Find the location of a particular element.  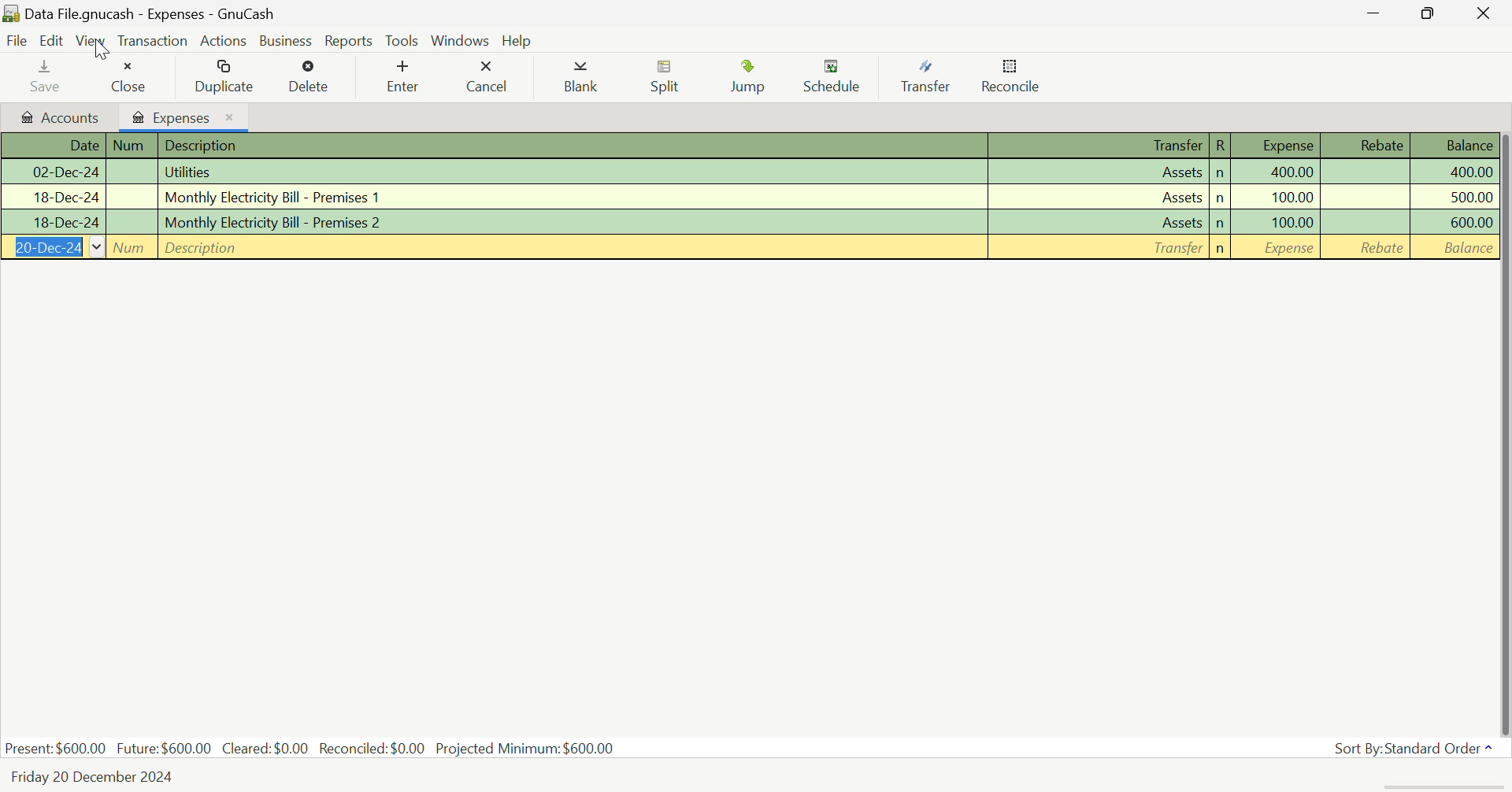

Projected is located at coordinates (524, 748).